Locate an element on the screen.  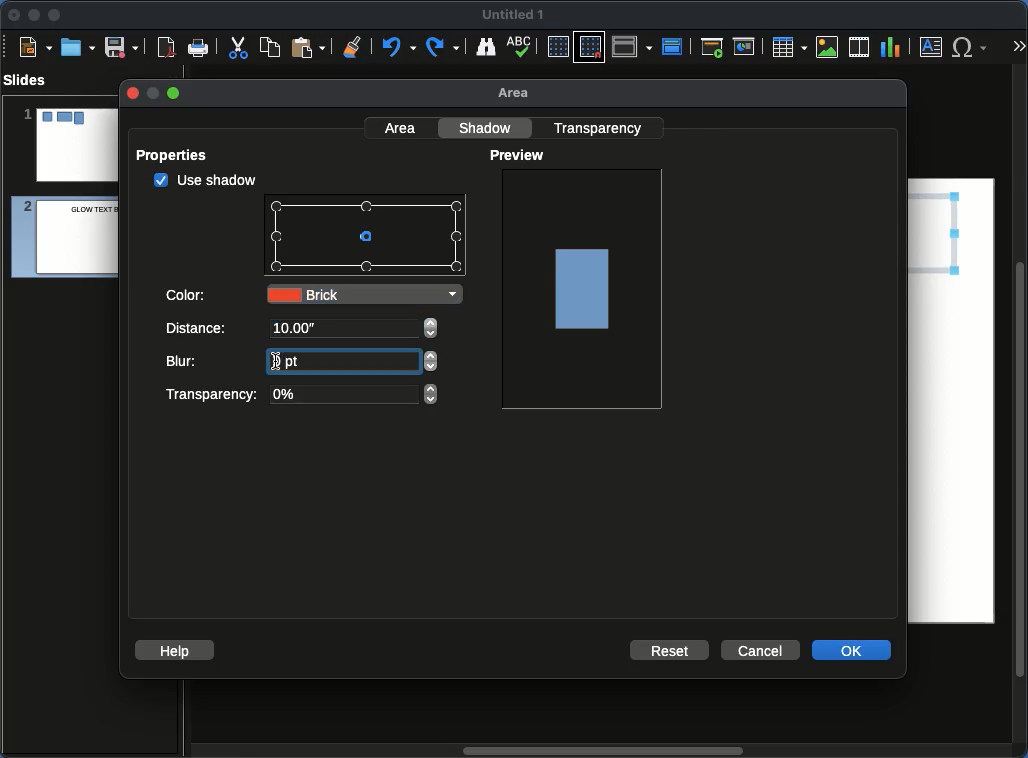
Save is located at coordinates (123, 46).